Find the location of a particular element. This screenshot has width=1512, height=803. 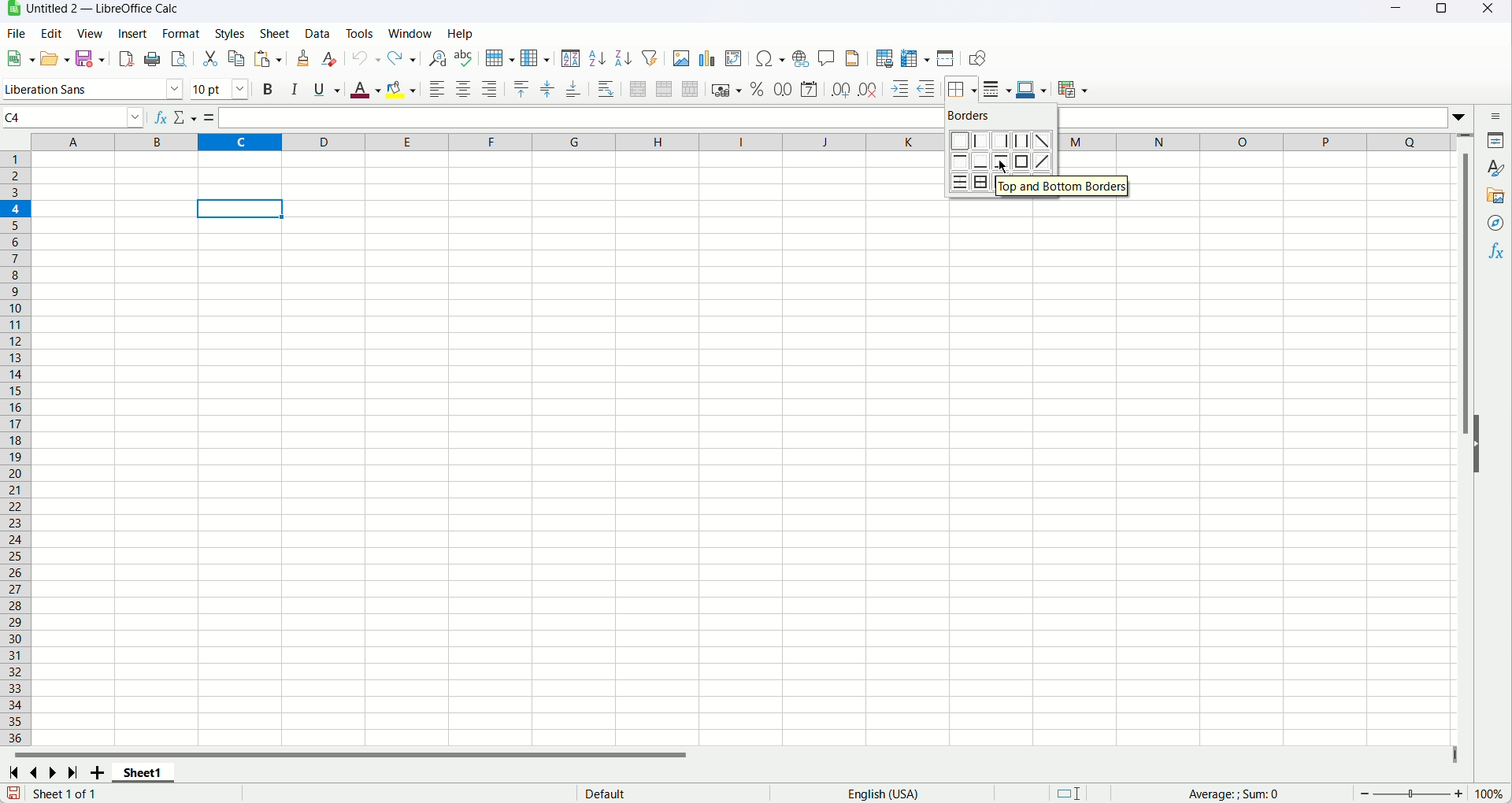

Previous sheet is located at coordinates (36, 772).